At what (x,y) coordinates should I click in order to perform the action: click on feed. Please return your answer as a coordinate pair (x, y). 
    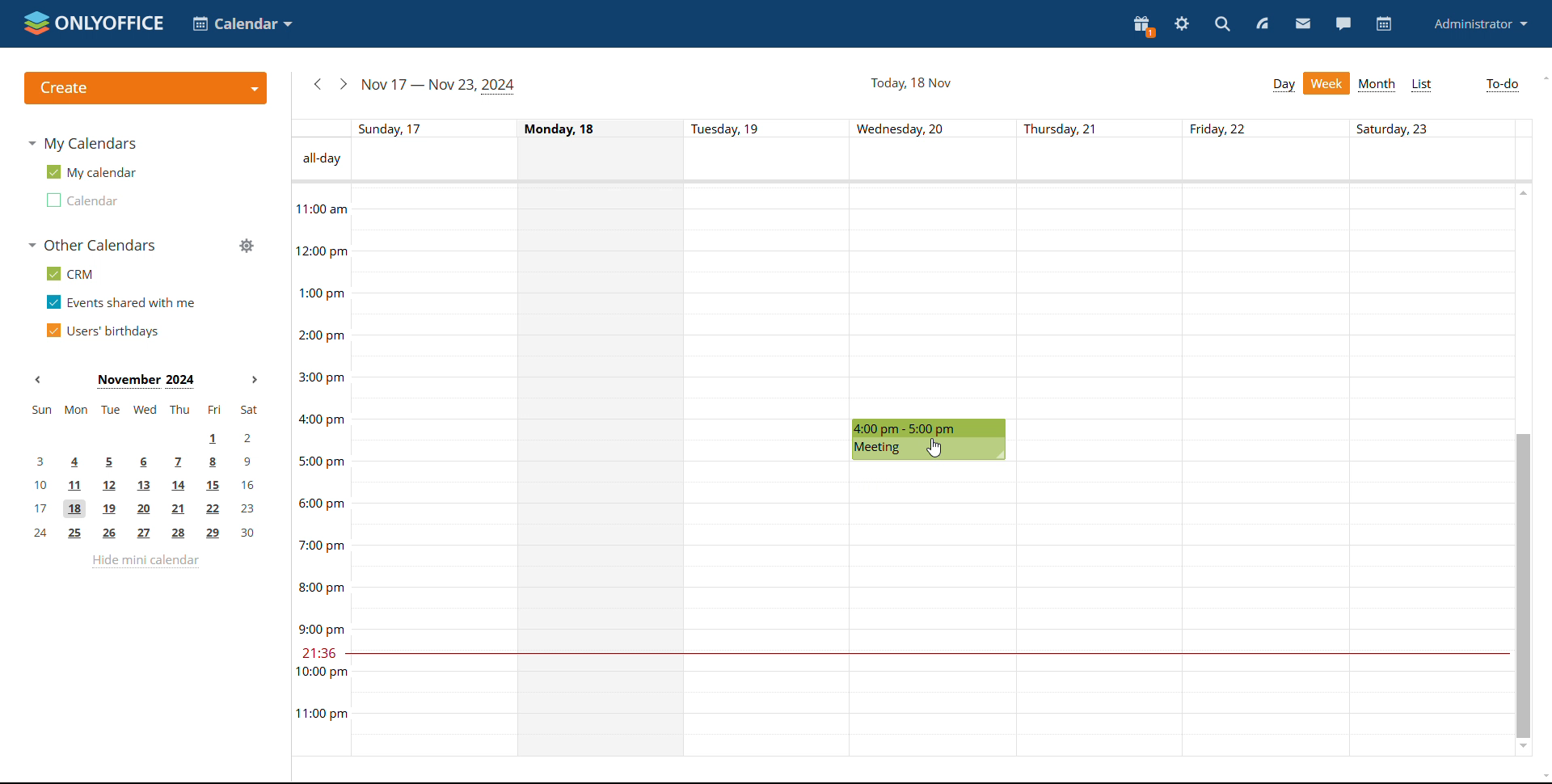
    Looking at the image, I should click on (1265, 24).